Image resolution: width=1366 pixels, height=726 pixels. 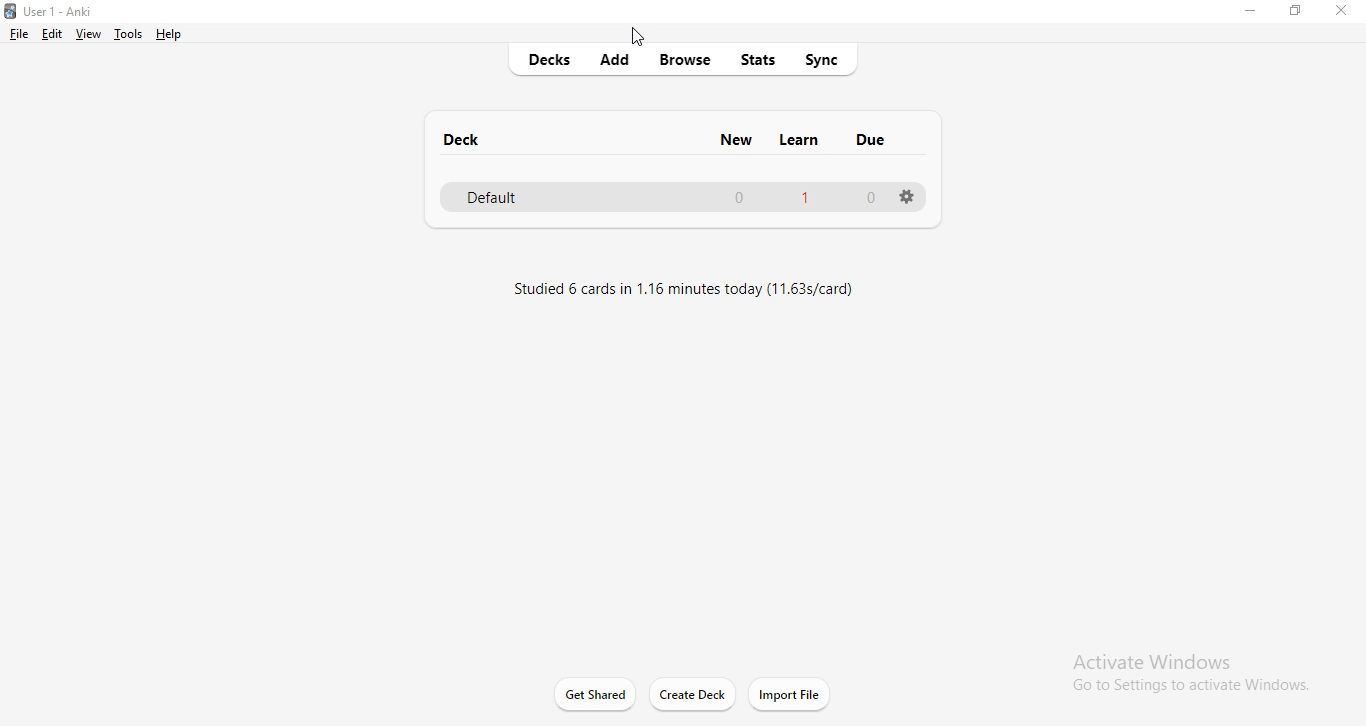 What do you see at coordinates (466, 139) in the screenshot?
I see `deck` at bounding box center [466, 139].